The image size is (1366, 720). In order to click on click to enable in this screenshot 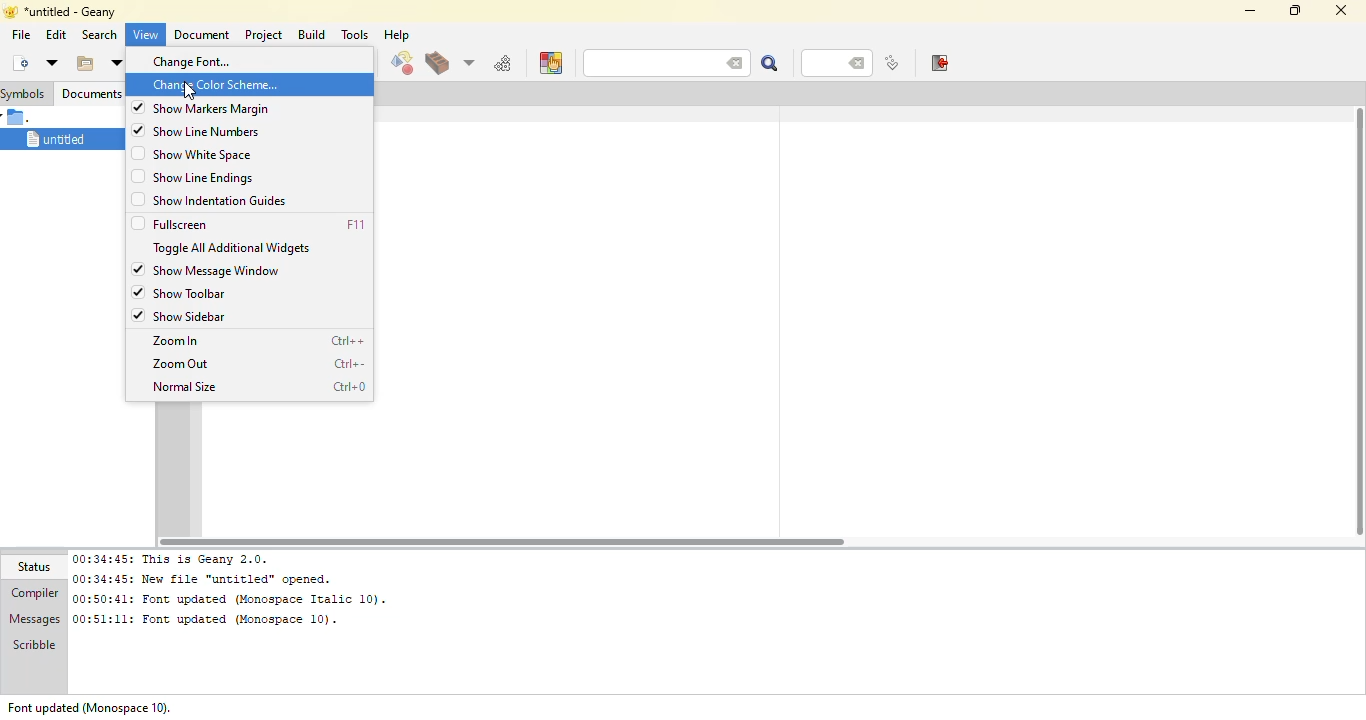, I will do `click(135, 177)`.